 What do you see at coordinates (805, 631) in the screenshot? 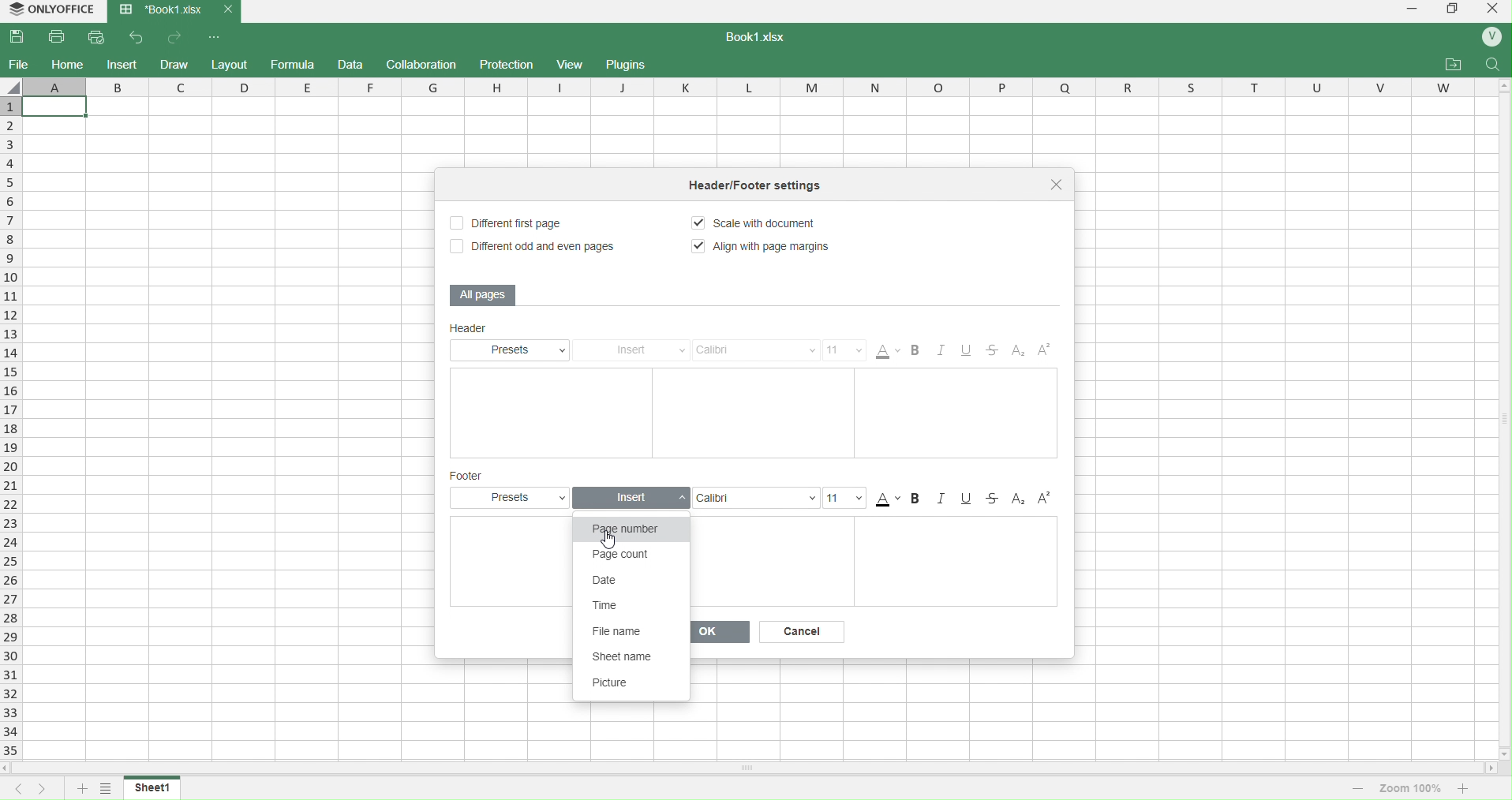
I see `Cancel` at bounding box center [805, 631].